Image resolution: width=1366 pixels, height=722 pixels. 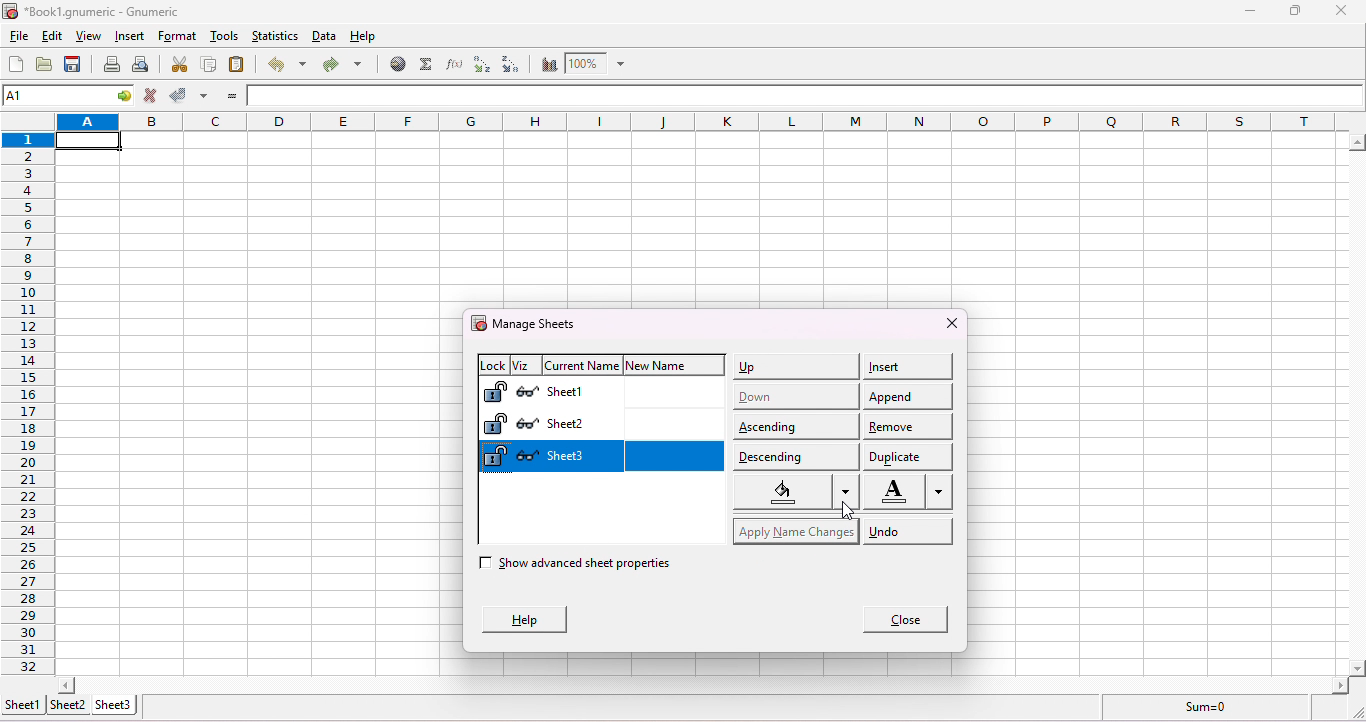 I want to click on edit, so click(x=47, y=36).